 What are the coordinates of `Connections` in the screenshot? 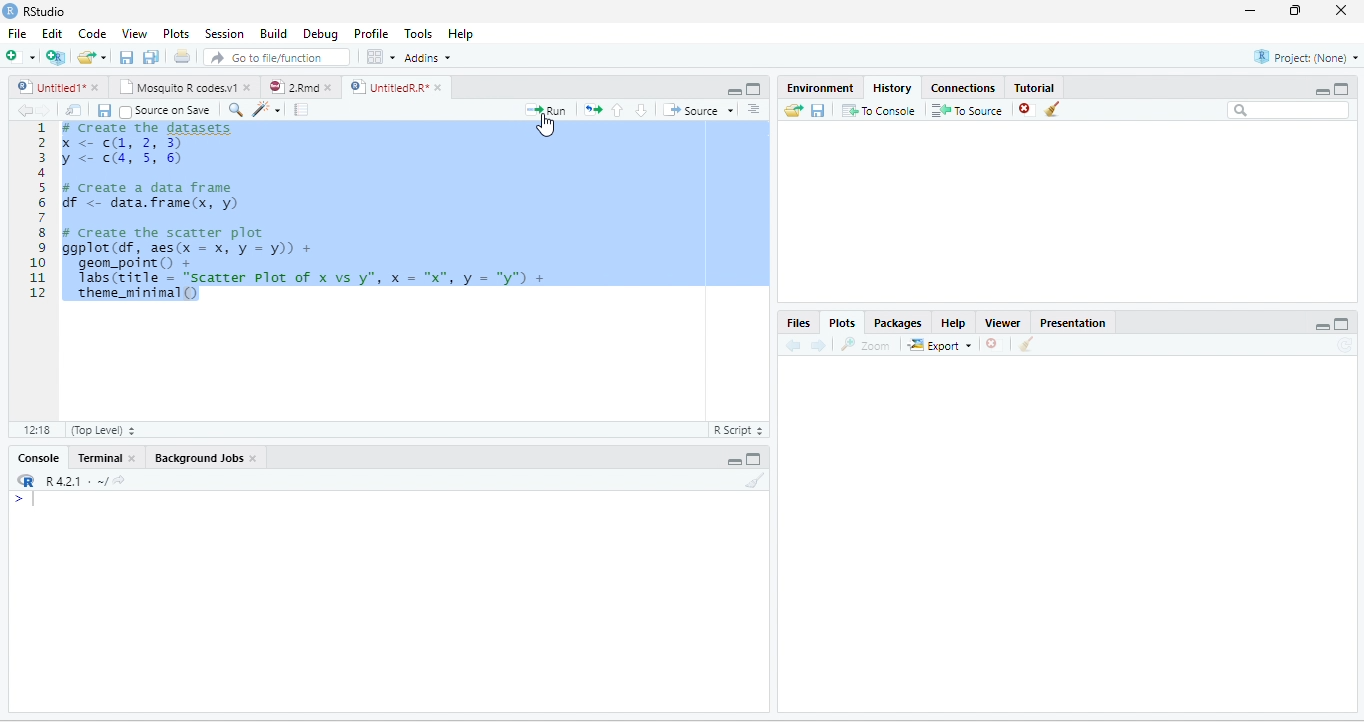 It's located at (964, 87).